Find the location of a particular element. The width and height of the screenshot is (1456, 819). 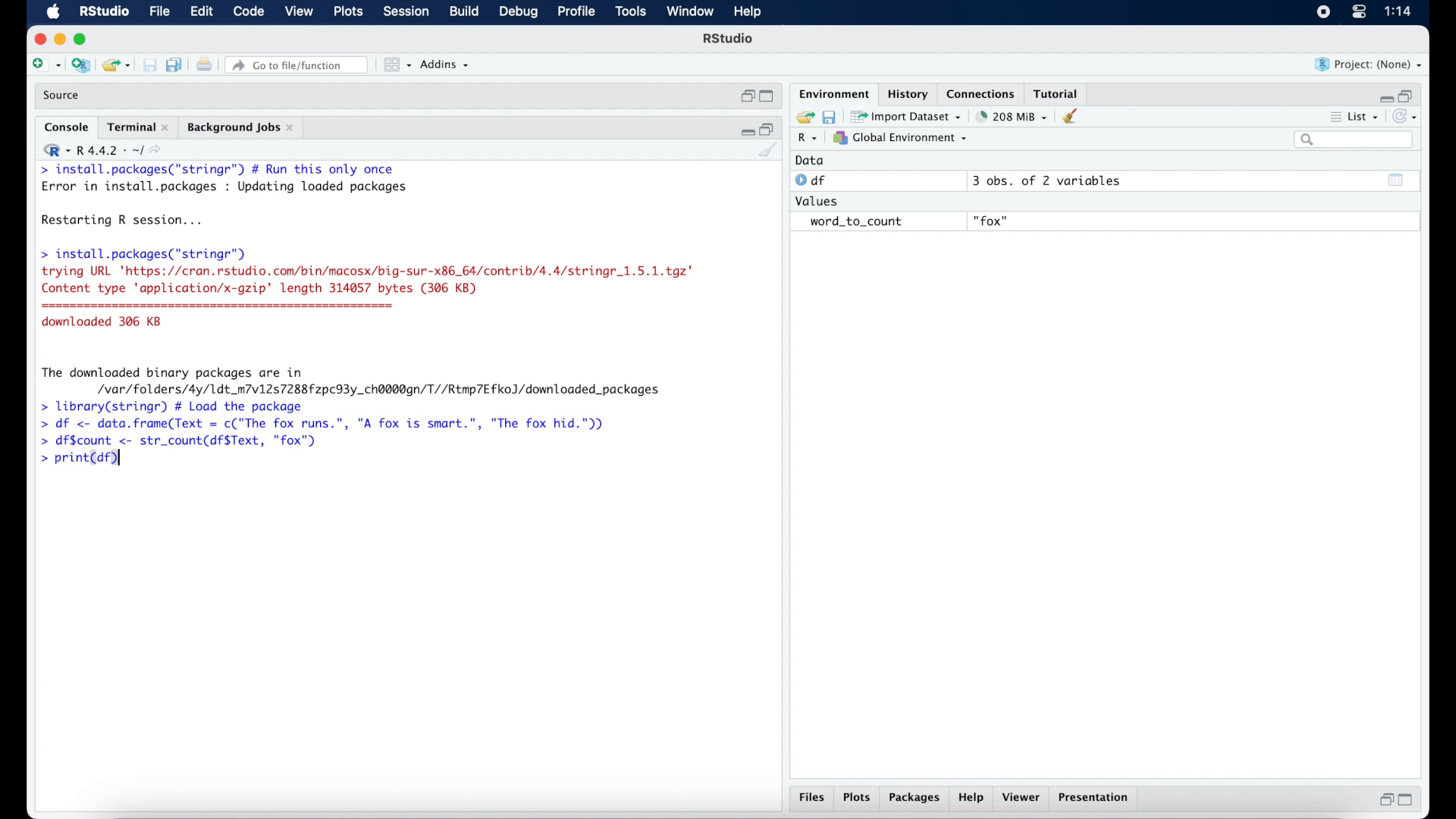

> df <- data.frame(Text = c("The fox runs.”, "A fox is smart.", "The fox hid."))| is located at coordinates (331, 424).